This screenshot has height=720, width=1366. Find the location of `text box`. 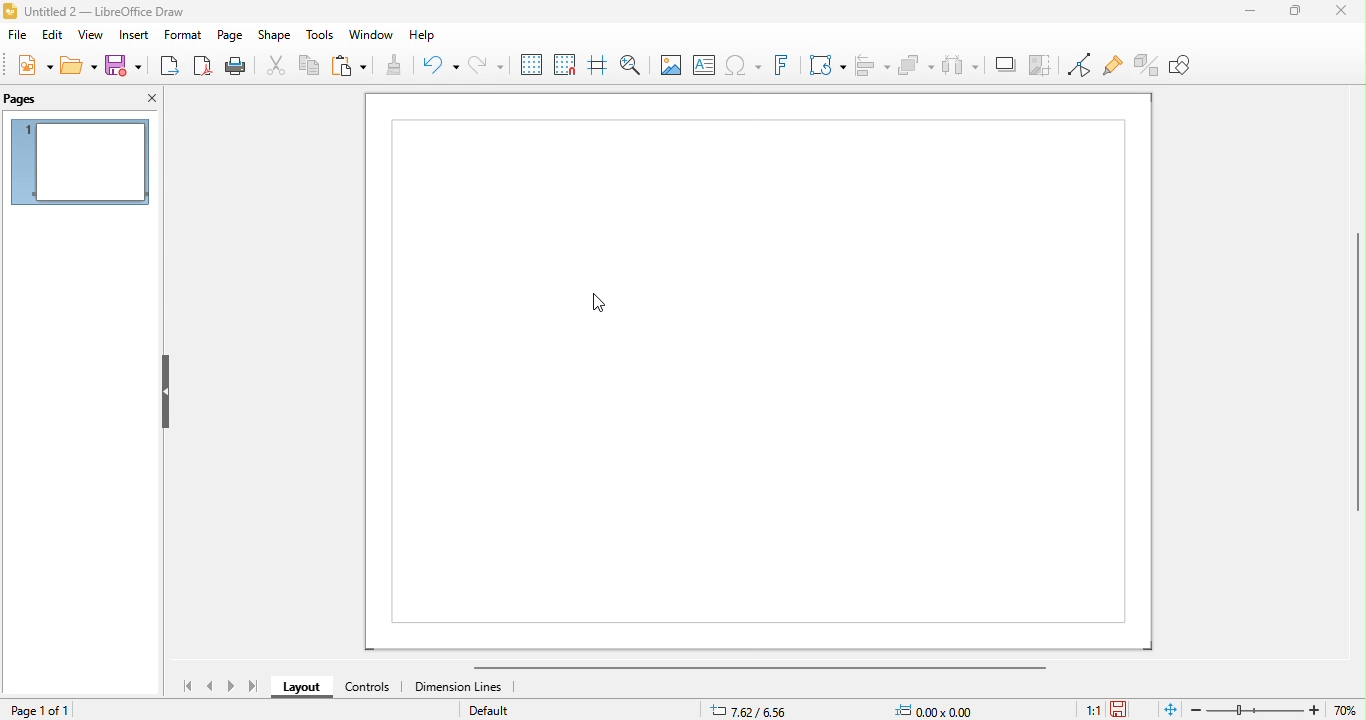

text box is located at coordinates (703, 65).